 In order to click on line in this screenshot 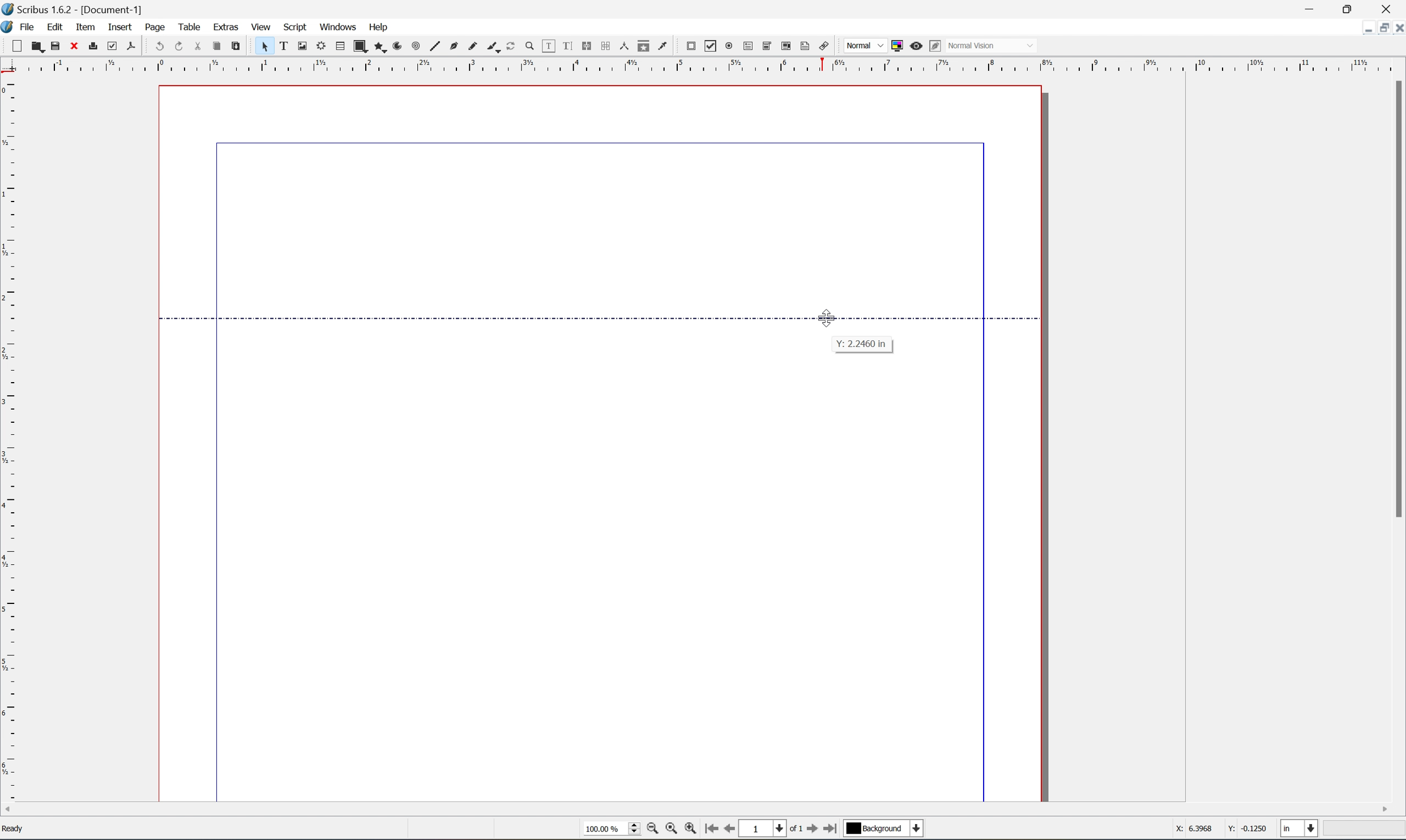, I will do `click(436, 46)`.